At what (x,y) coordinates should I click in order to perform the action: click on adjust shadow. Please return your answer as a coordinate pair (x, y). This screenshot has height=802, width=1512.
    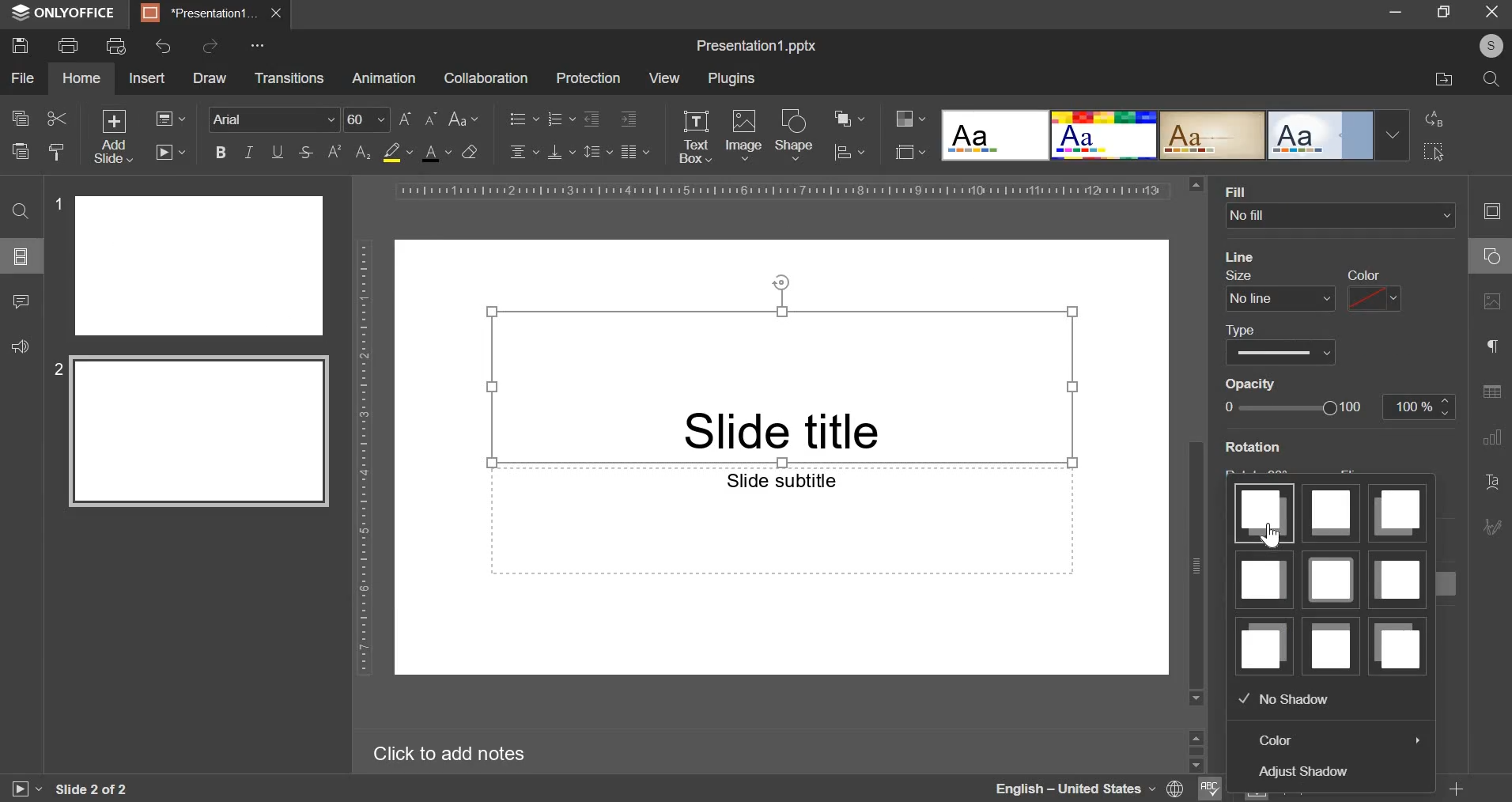
    Looking at the image, I should click on (1307, 772).